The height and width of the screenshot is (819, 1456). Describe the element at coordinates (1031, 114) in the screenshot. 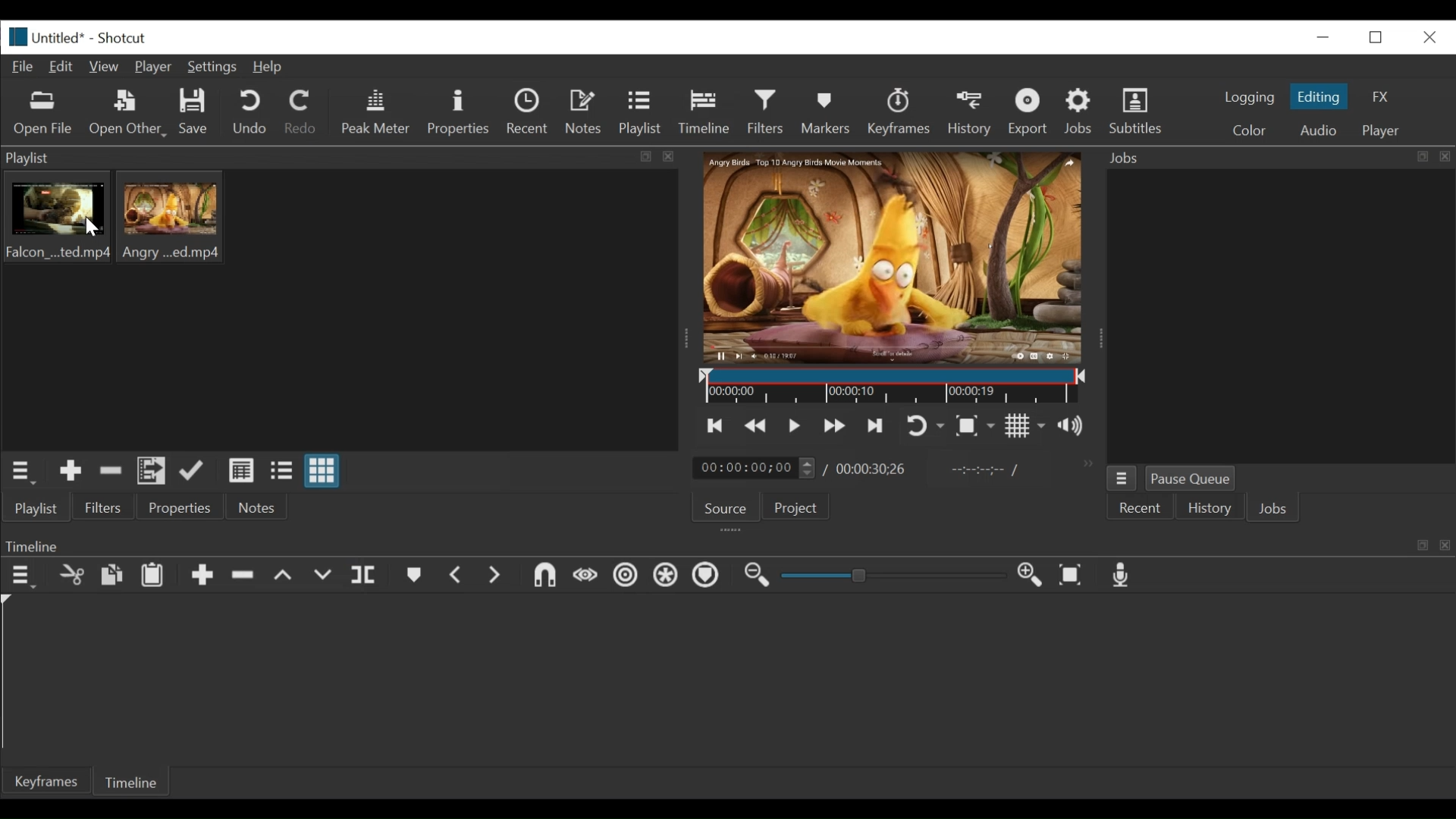

I see `Export` at that location.